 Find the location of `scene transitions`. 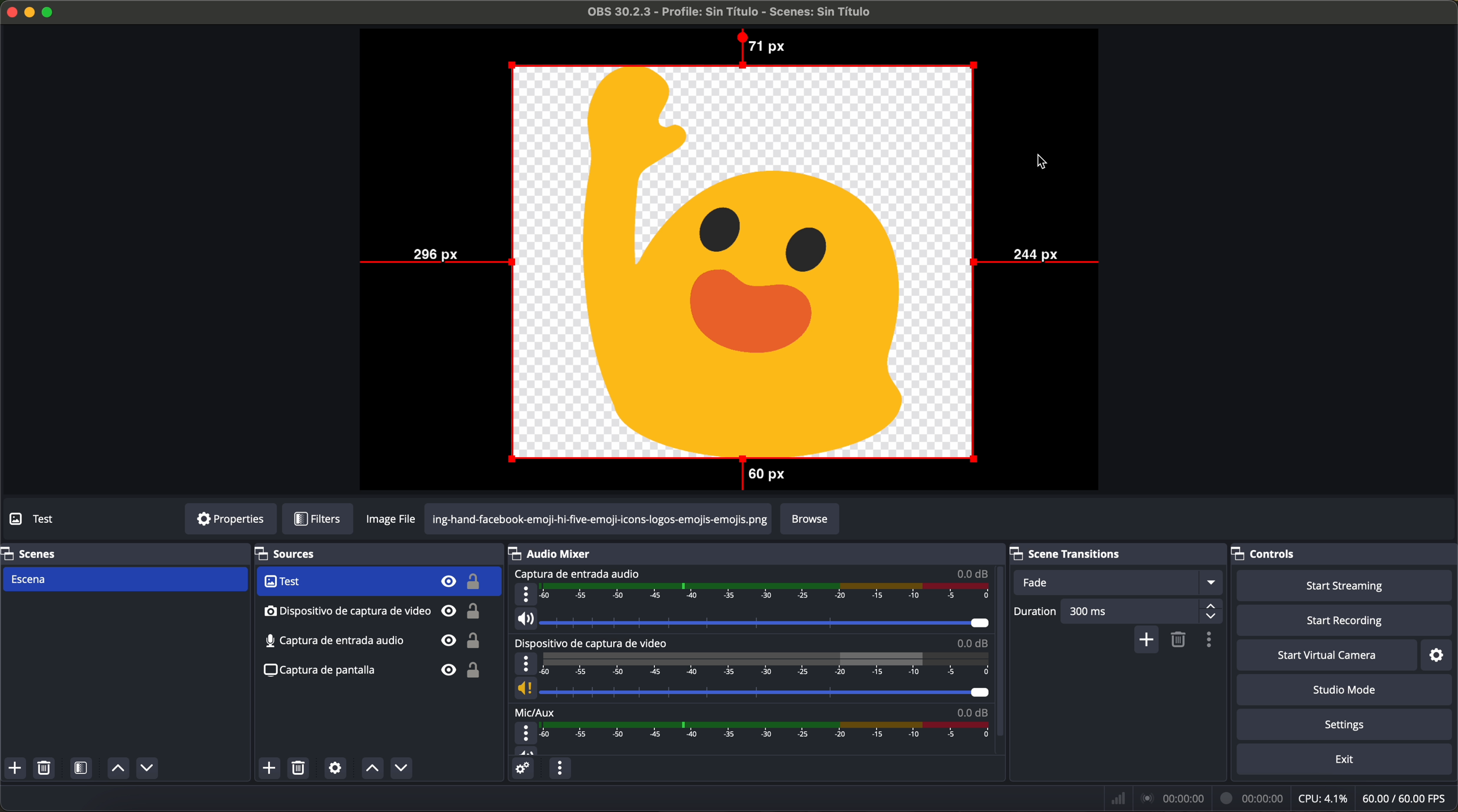

scene transitions is located at coordinates (1079, 552).